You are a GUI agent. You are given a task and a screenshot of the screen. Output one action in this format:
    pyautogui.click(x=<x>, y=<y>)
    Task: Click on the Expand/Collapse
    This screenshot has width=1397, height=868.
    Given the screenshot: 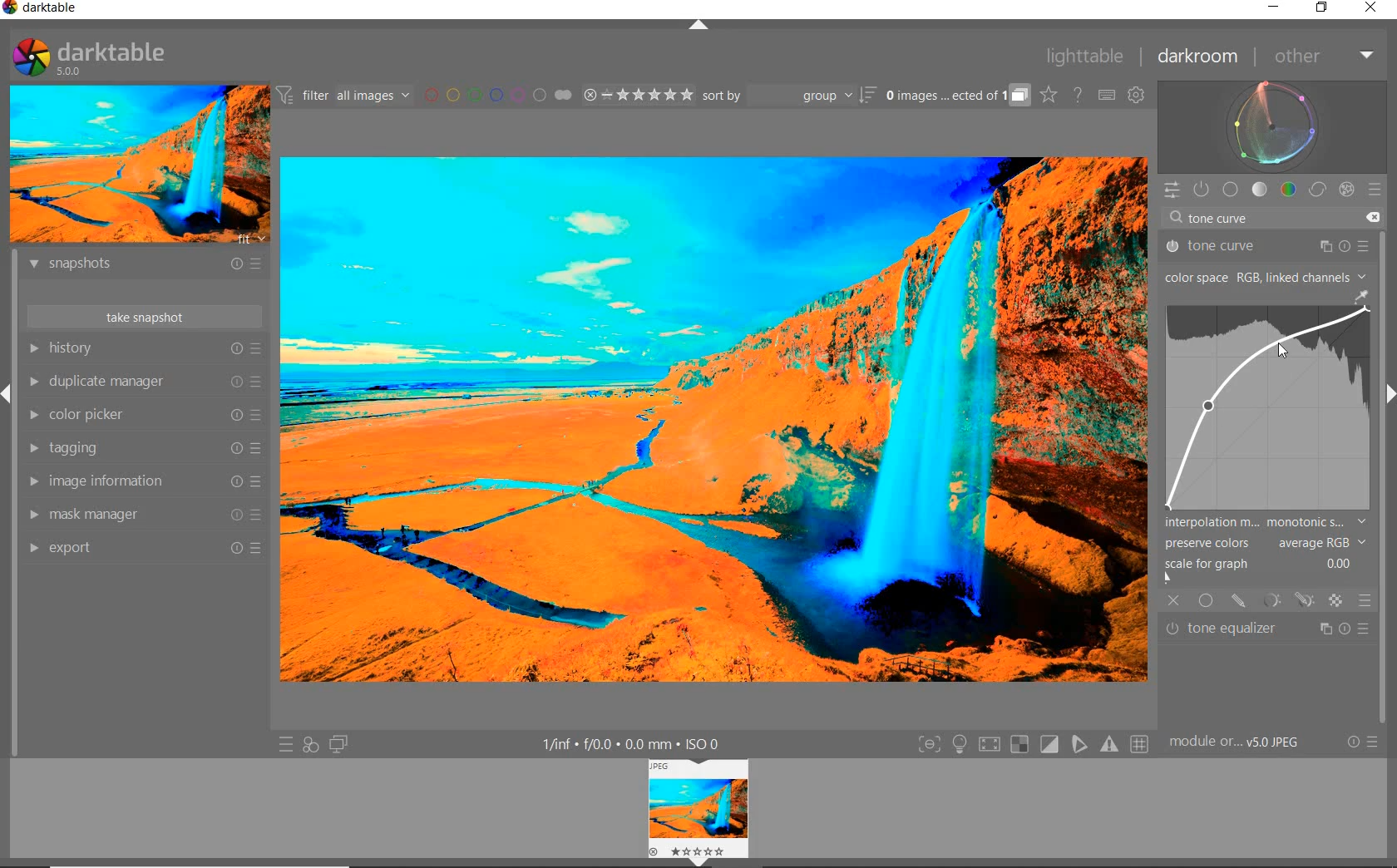 What is the action you would take?
    pyautogui.click(x=698, y=862)
    